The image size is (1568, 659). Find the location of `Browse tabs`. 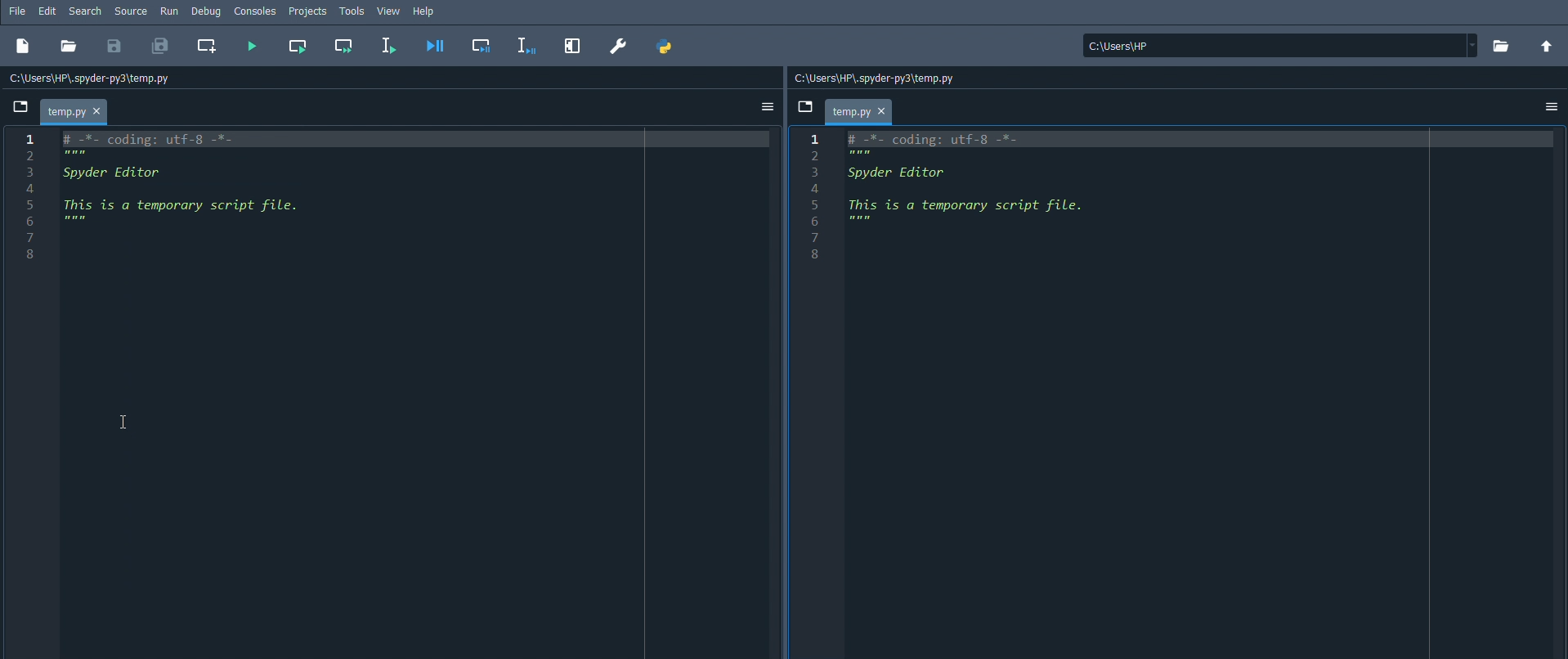

Browse tabs is located at coordinates (22, 106).